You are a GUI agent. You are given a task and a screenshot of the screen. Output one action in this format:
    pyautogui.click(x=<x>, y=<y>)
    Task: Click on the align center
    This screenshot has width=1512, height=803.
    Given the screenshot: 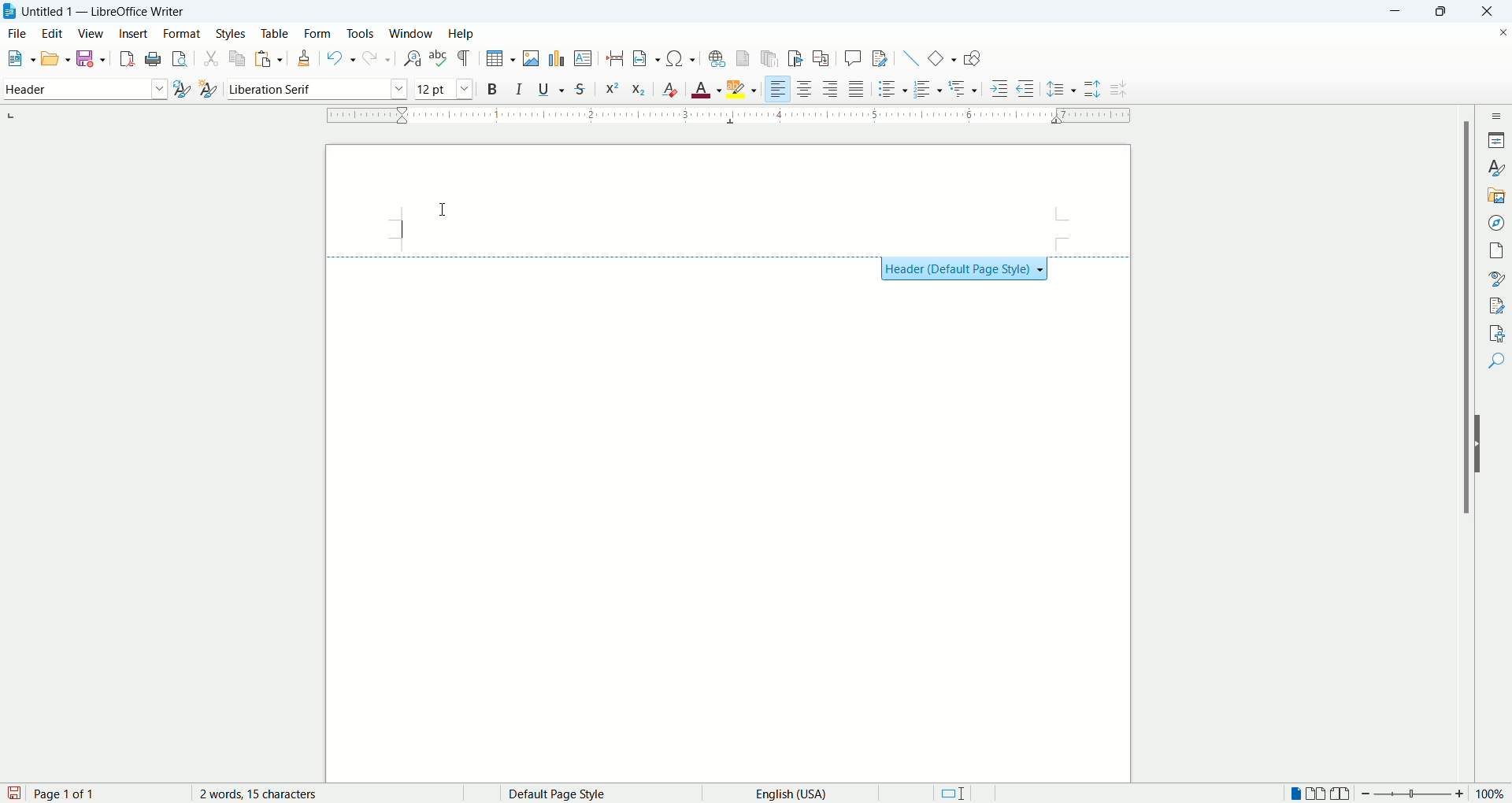 What is the action you would take?
    pyautogui.click(x=803, y=88)
    